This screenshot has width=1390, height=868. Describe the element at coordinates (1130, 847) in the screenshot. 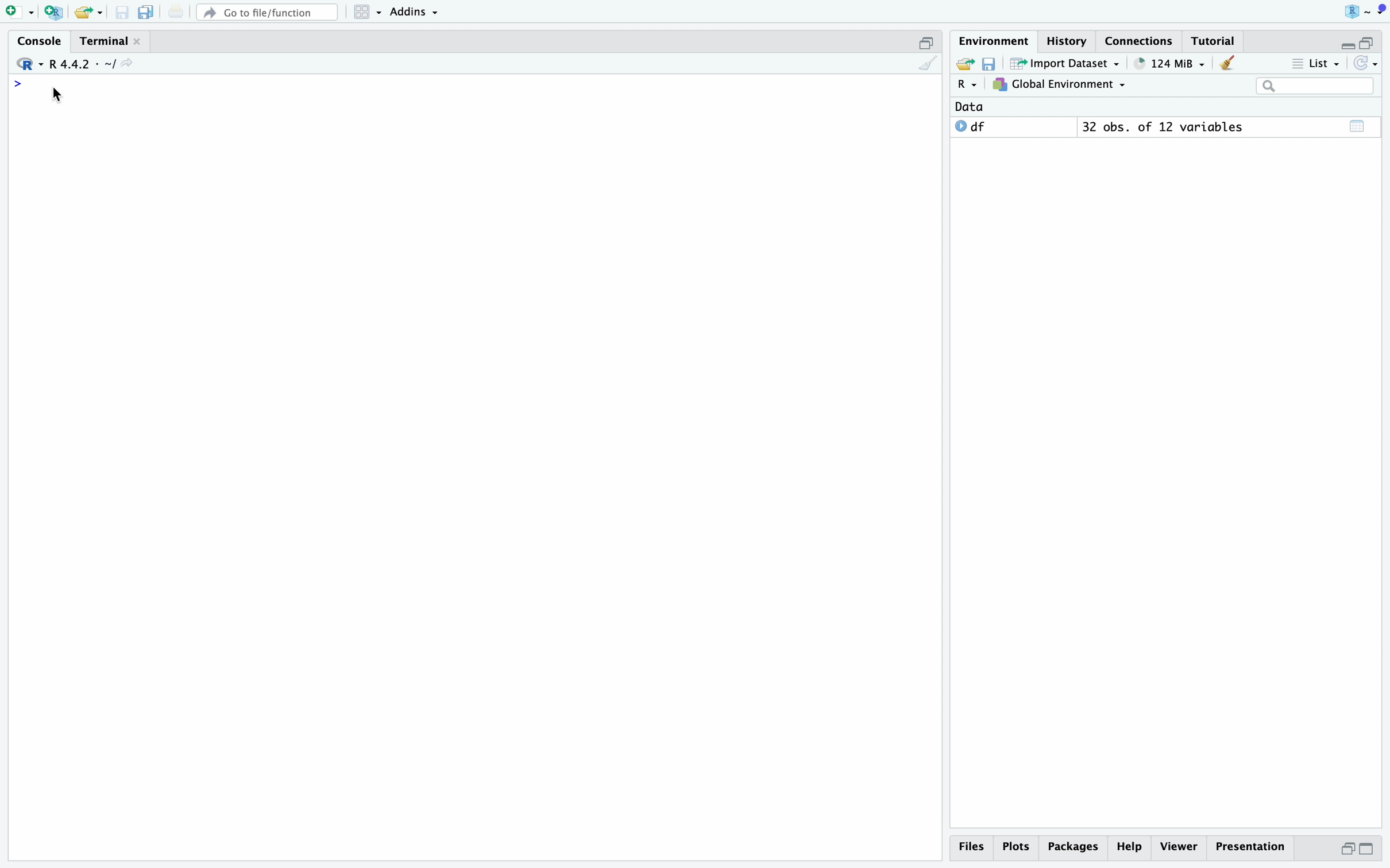

I see `help` at that location.